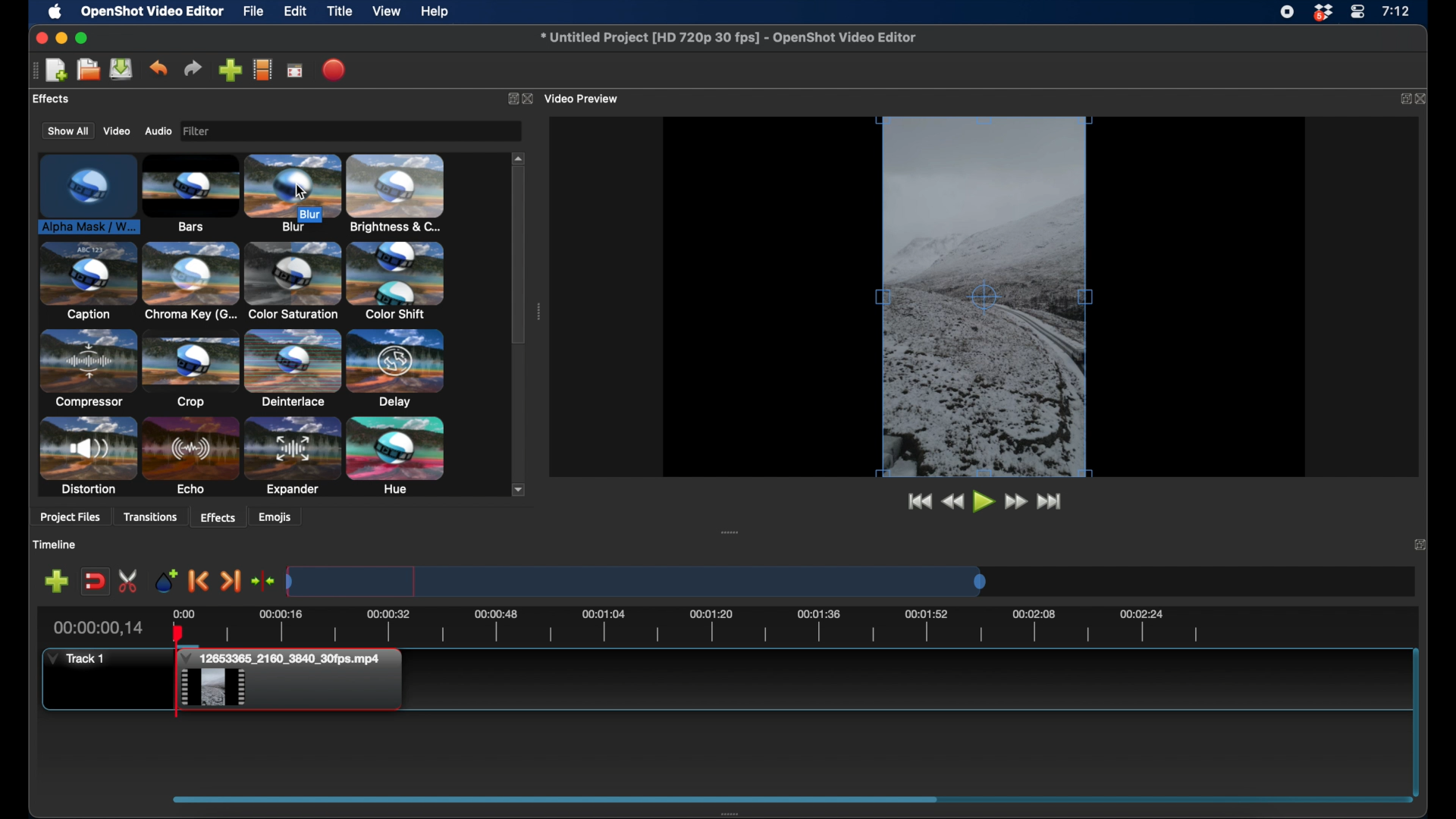 This screenshot has height=819, width=1456. Describe the element at coordinates (519, 258) in the screenshot. I see `scroll box` at that location.